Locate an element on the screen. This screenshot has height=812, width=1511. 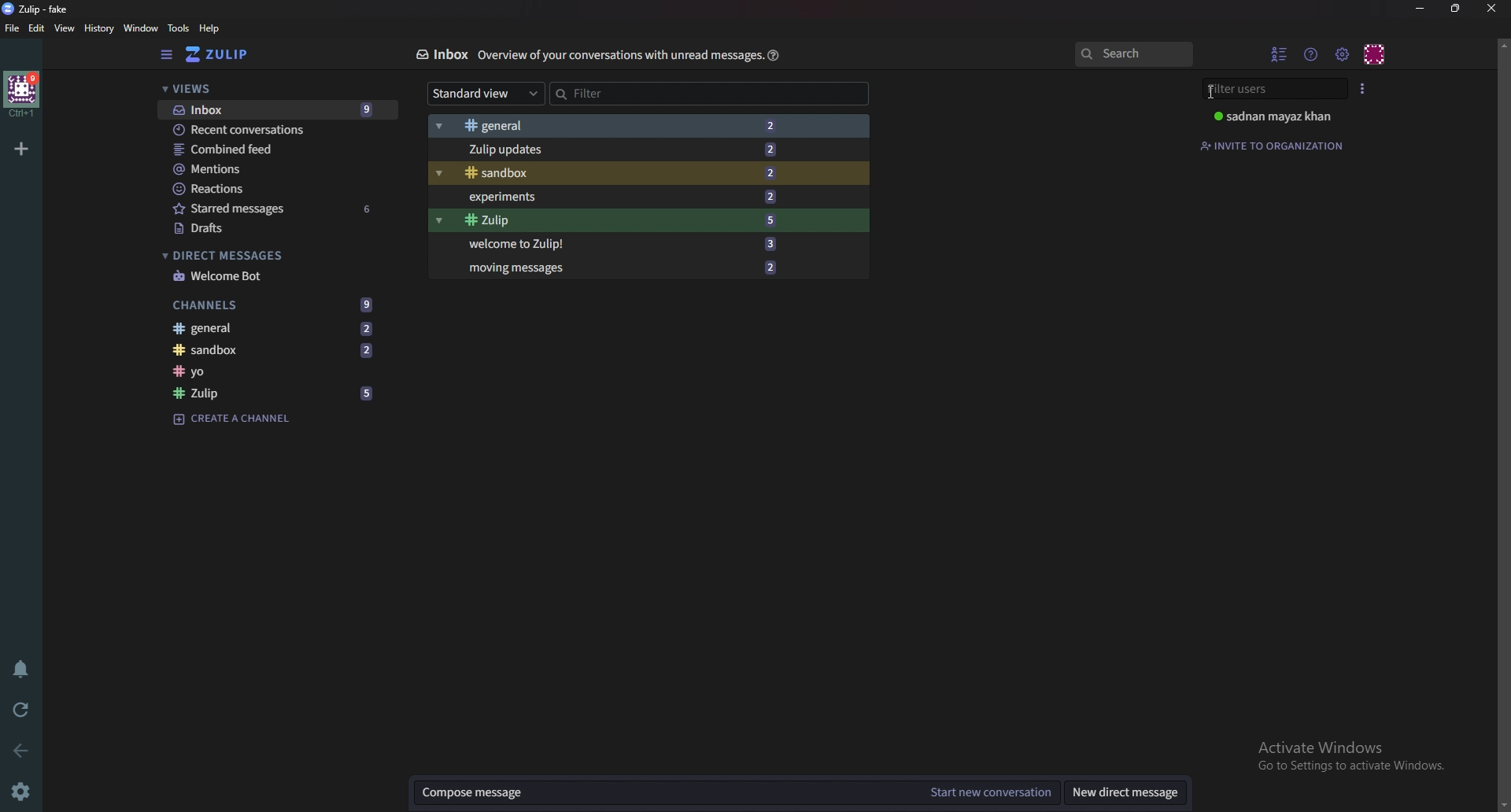
home is located at coordinates (22, 94).